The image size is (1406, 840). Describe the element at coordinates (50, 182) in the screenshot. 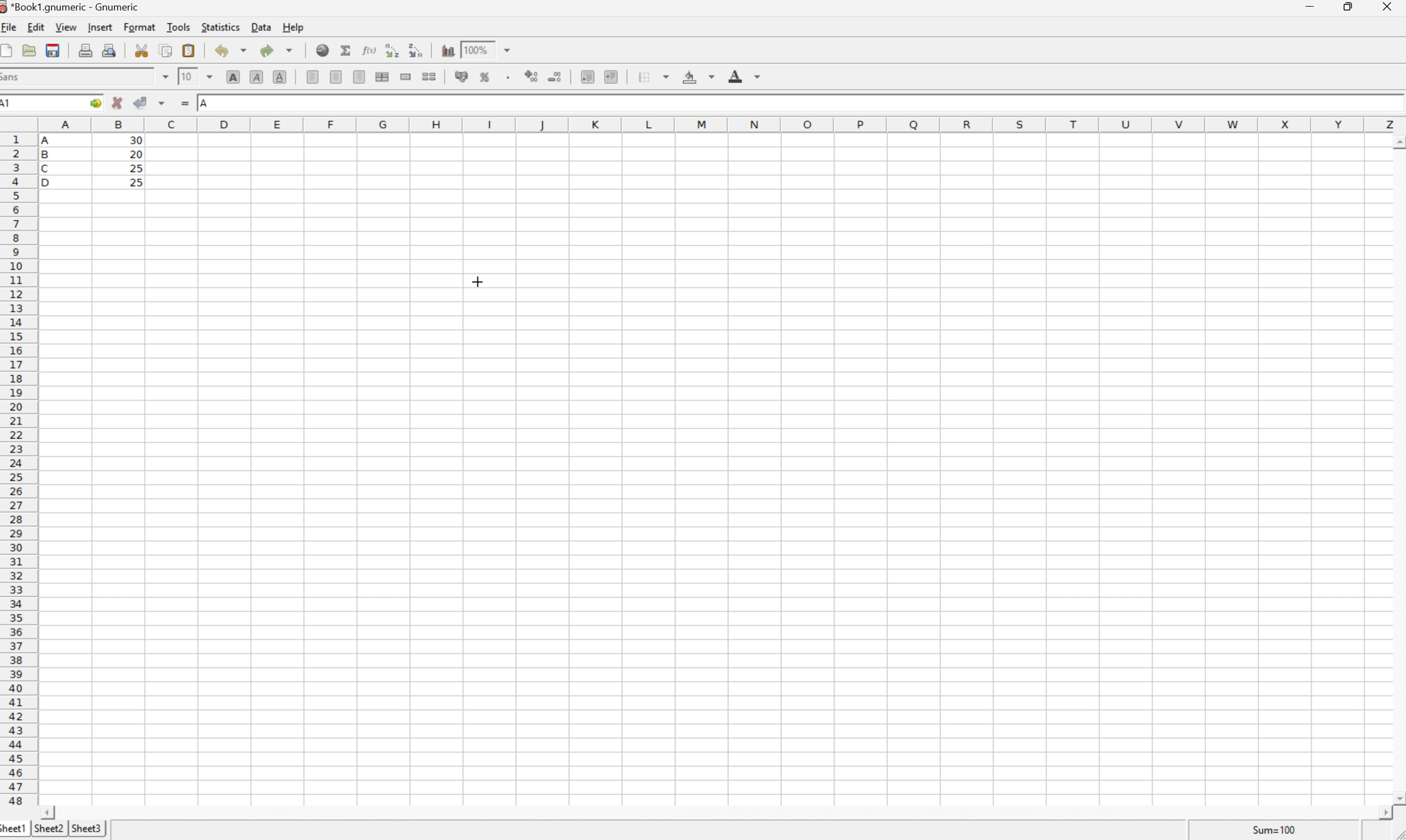

I see `D` at that location.